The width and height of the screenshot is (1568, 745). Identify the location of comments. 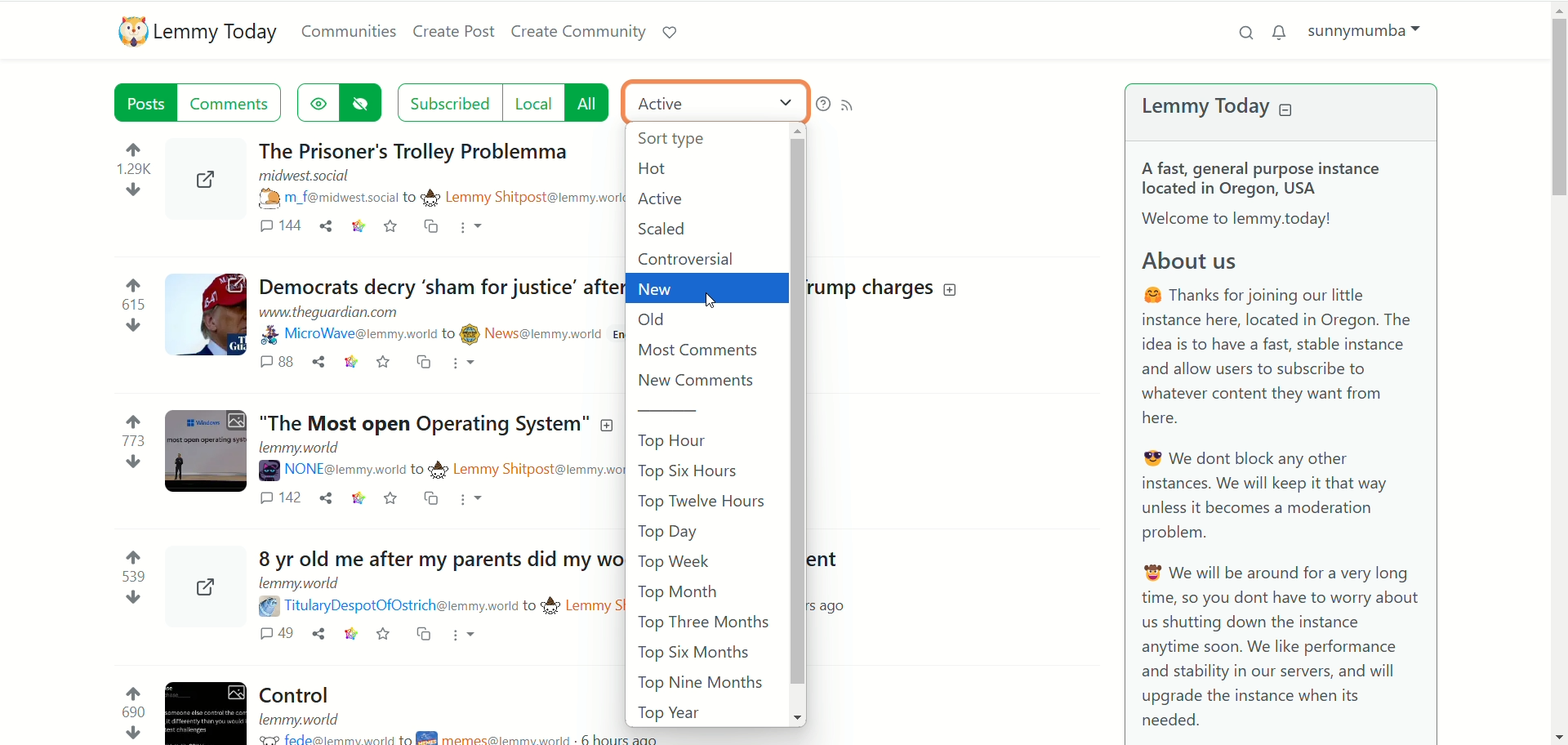
(258, 636).